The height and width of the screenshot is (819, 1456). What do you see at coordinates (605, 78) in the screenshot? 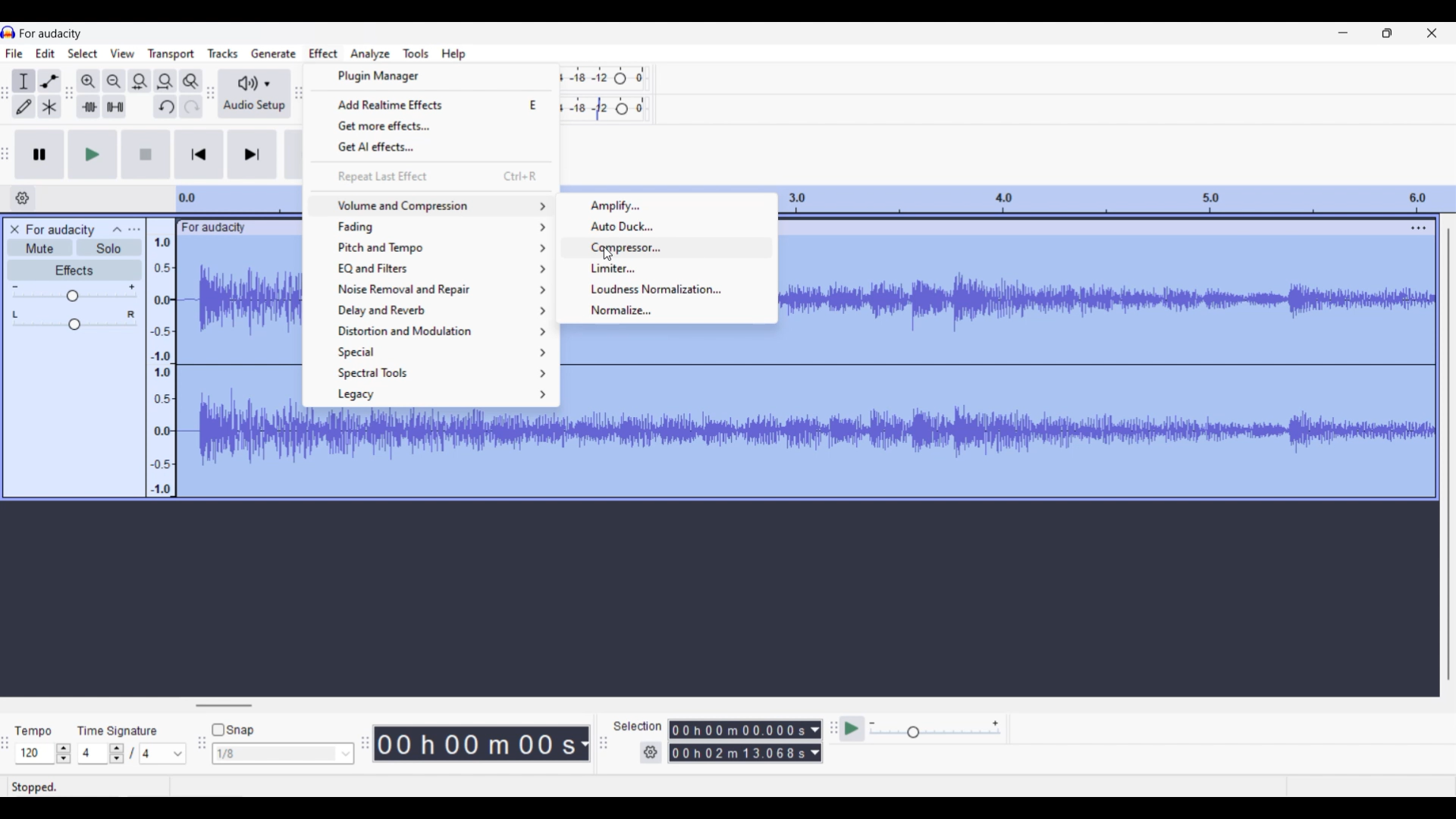
I see `Recording level` at bounding box center [605, 78].